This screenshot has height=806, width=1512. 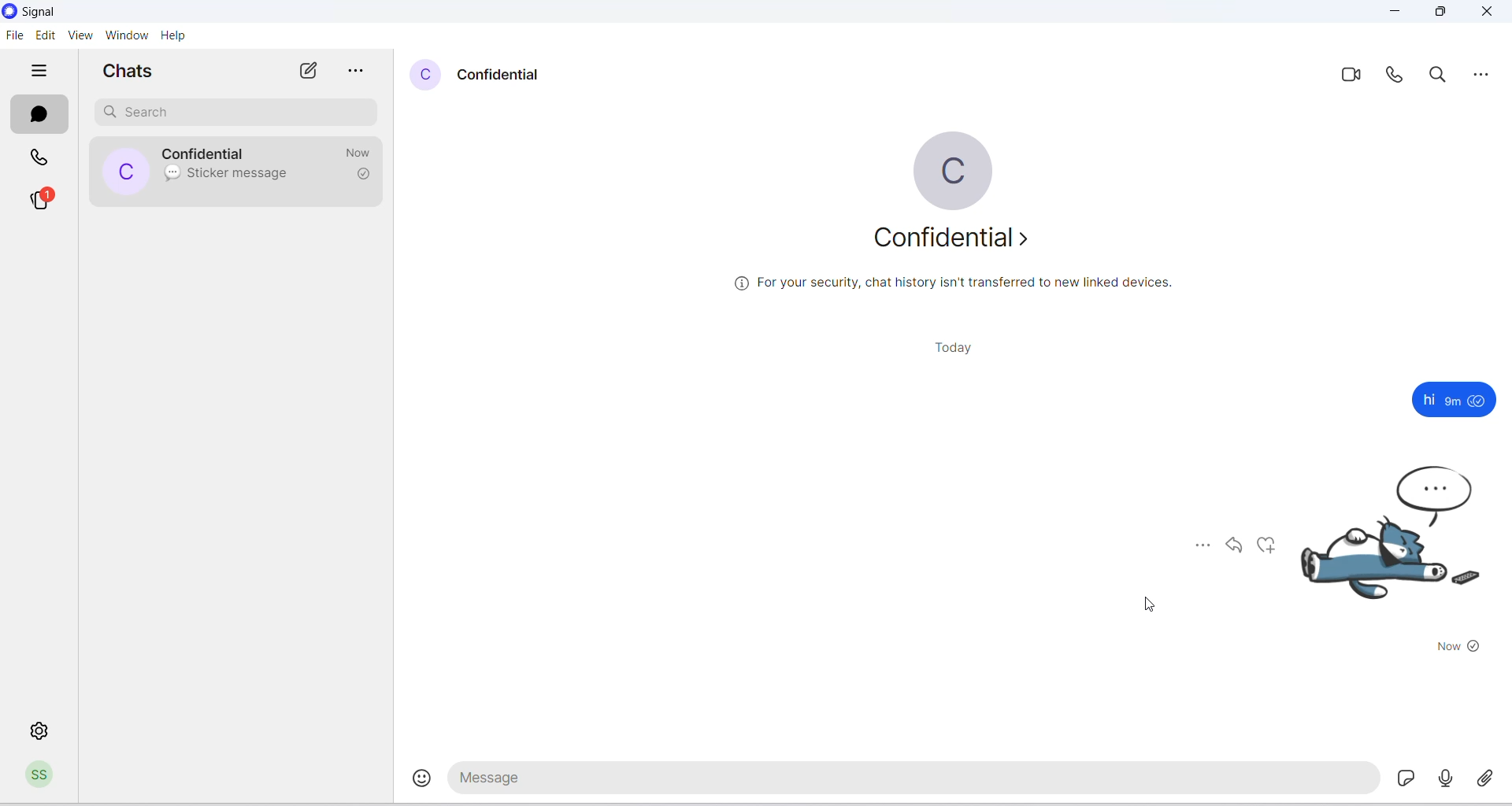 I want to click on last message time, so click(x=361, y=151).